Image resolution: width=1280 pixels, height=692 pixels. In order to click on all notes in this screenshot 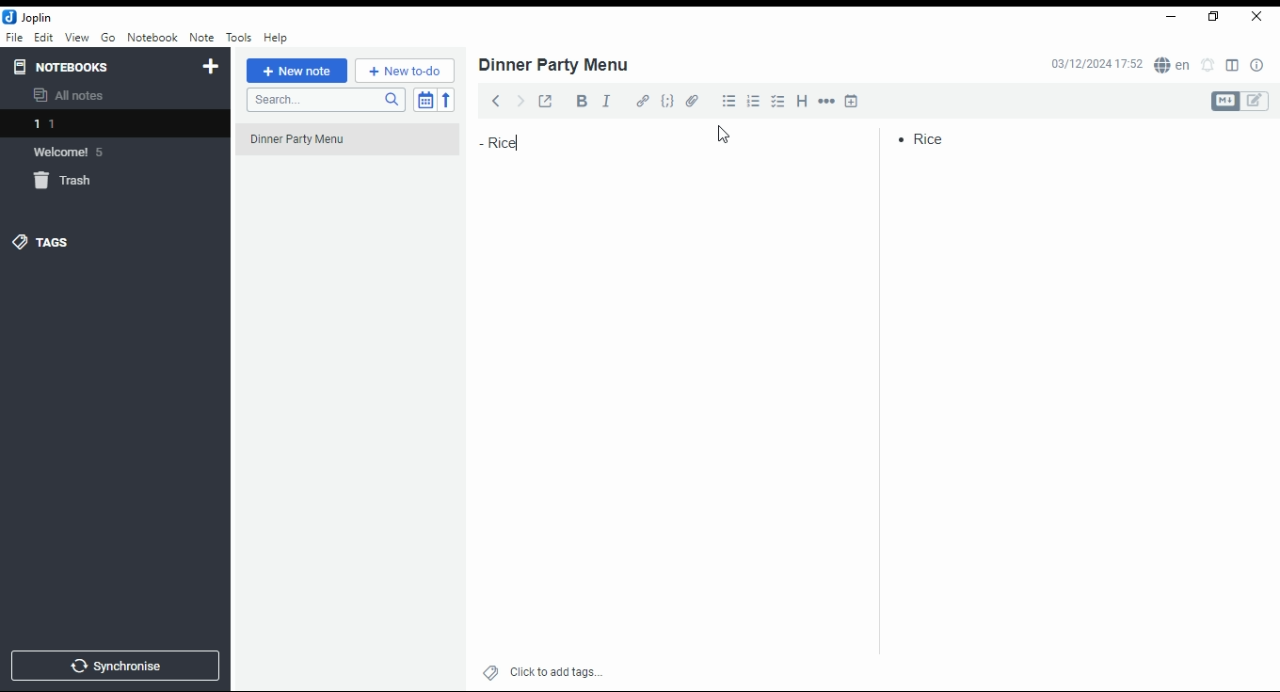, I will do `click(74, 96)`.